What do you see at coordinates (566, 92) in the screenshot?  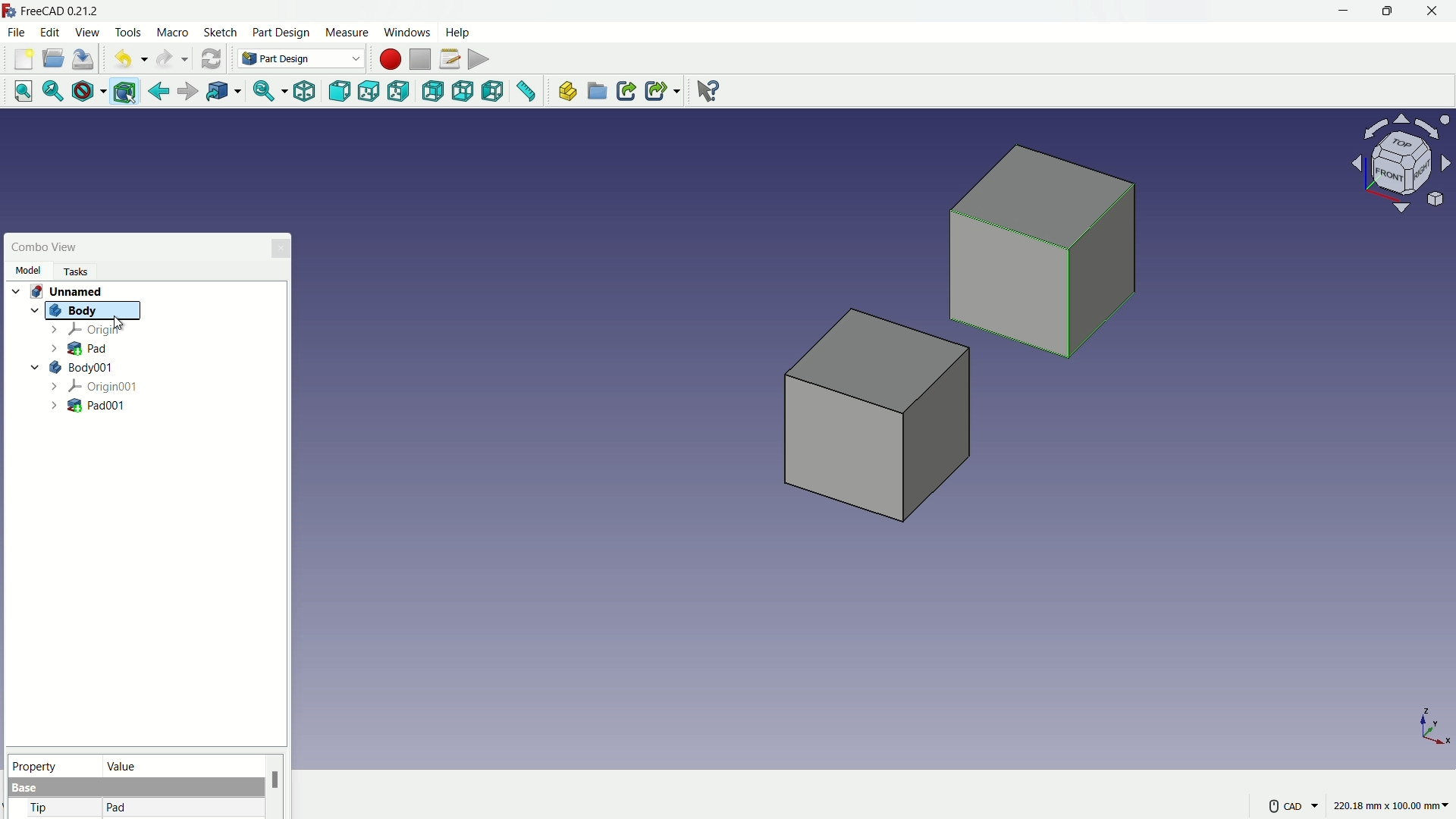 I see `create part` at bounding box center [566, 92].